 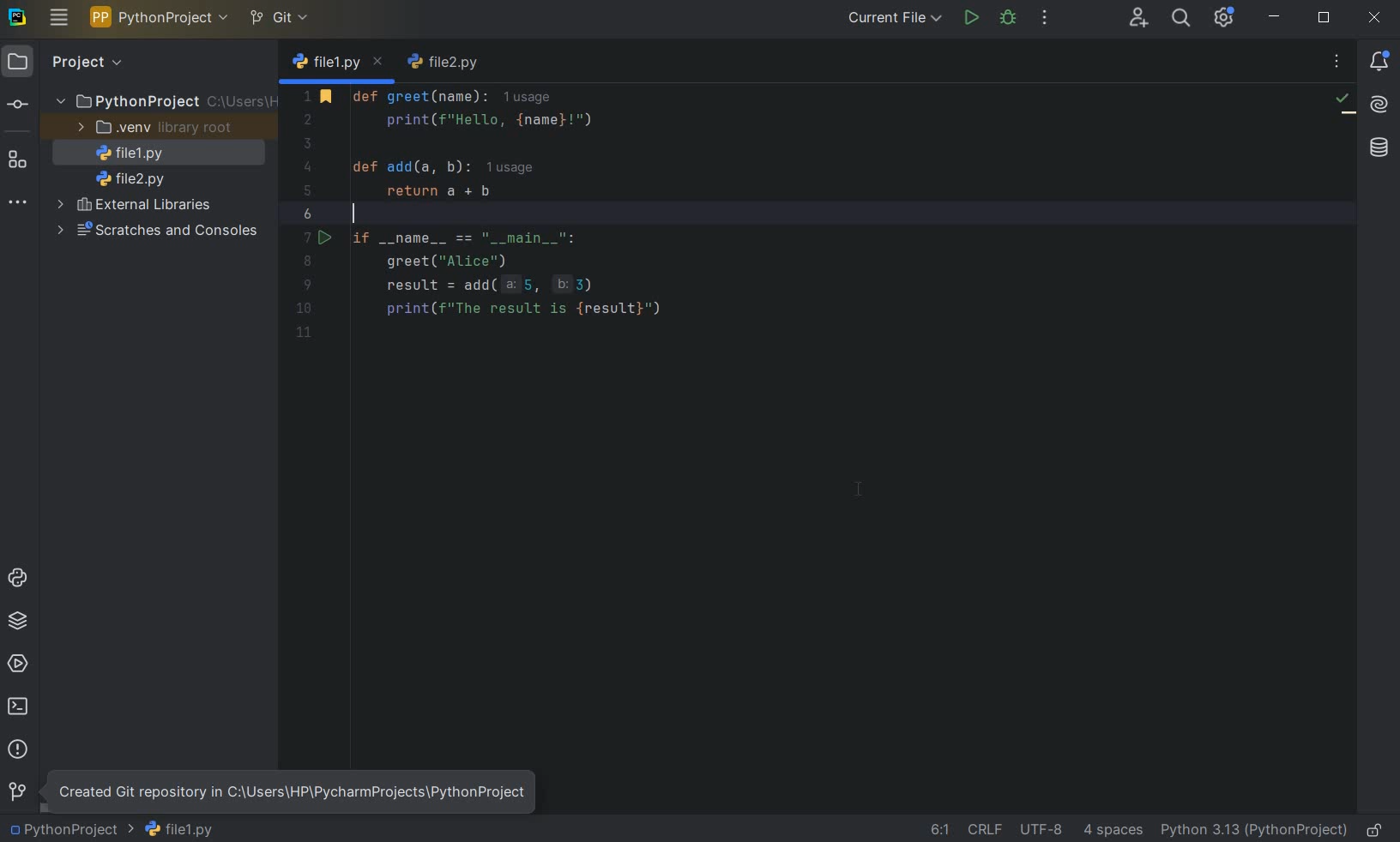 What do you see at coordinates (1344, 103) in the screenshot?
I see `no problems` at bounding box center [1344, 103].